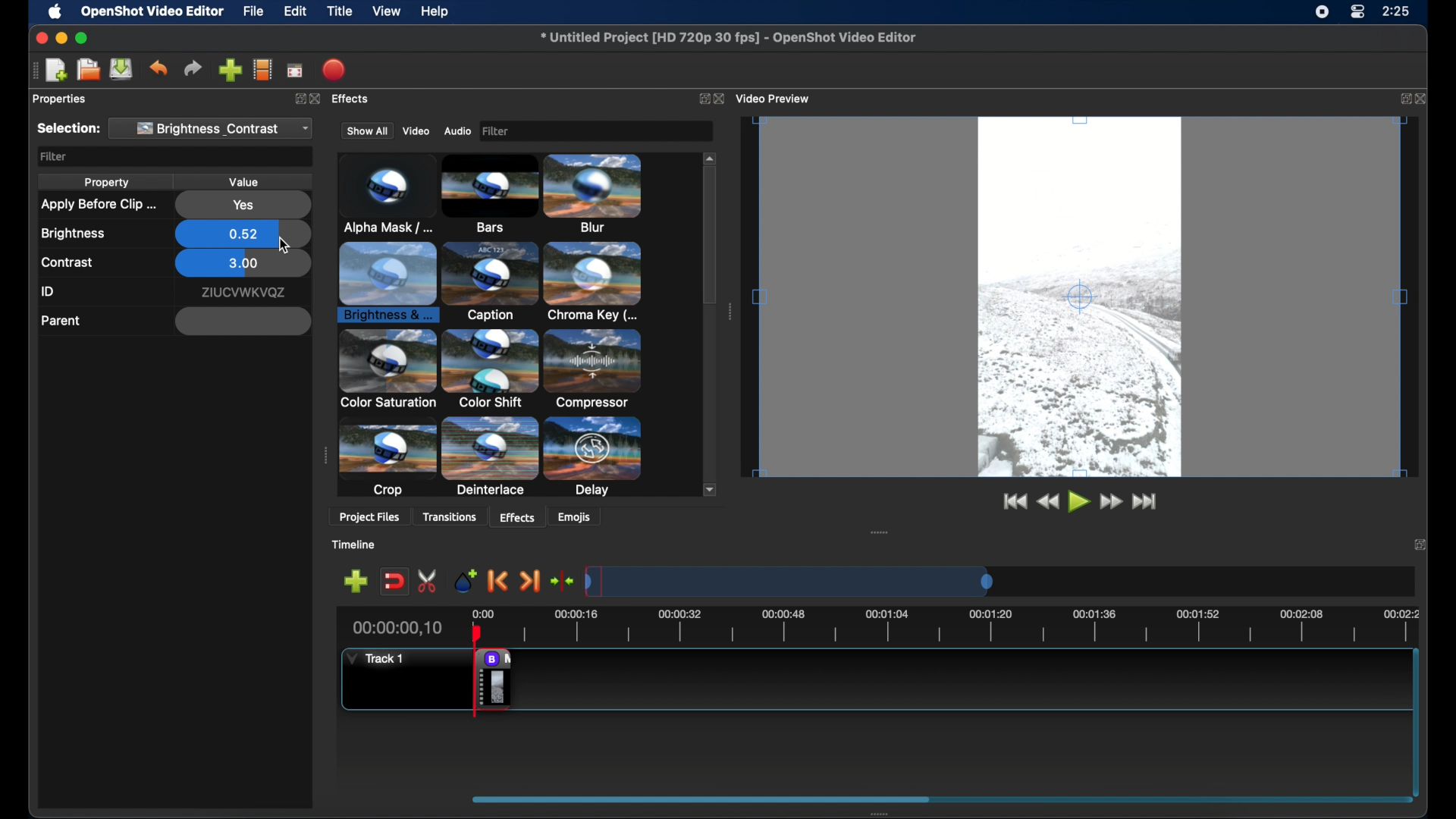  I want to click on add track, so click(355, 581).